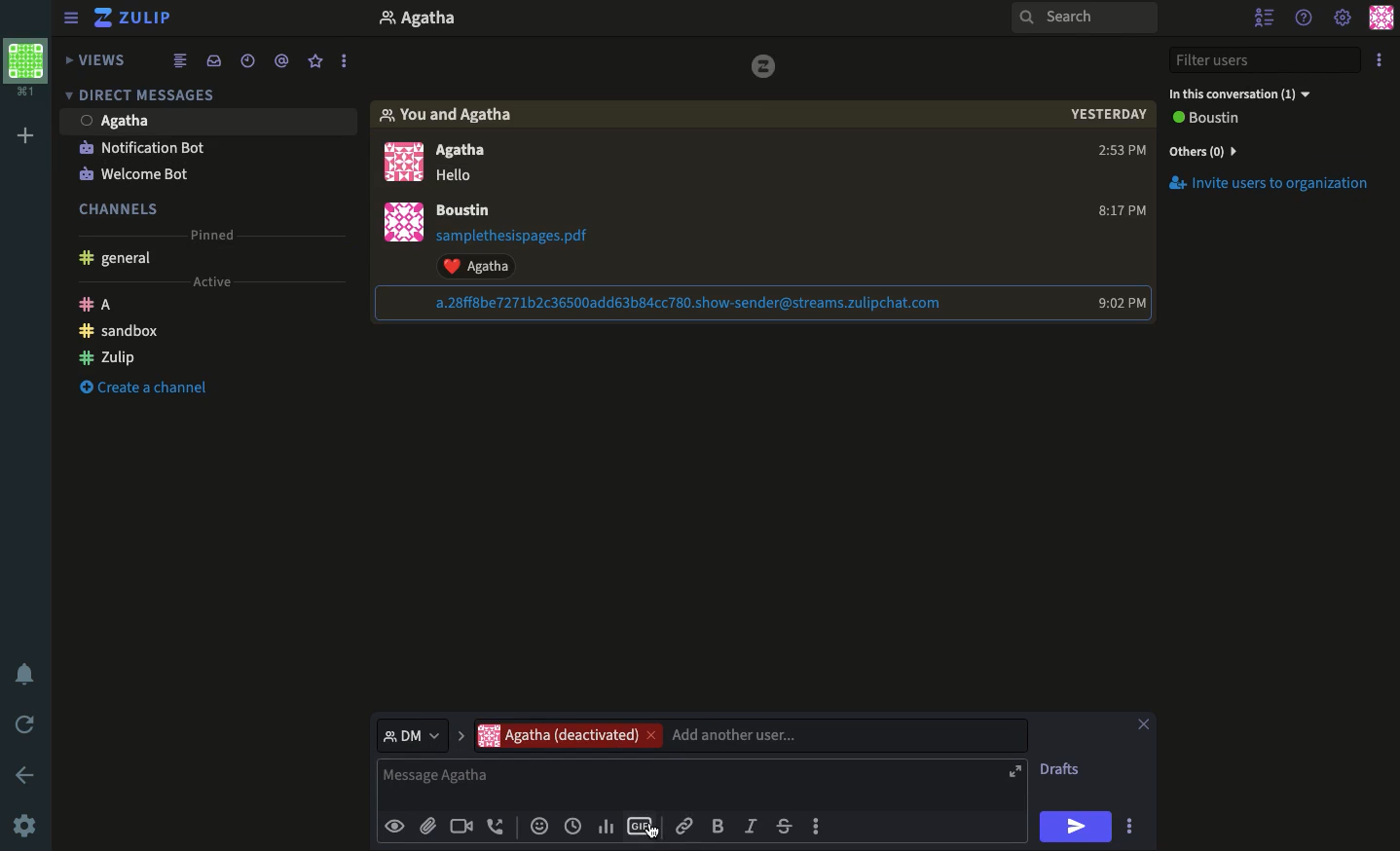 This screenshot has width=1400, height=851. Describe the element at coordinates (221, 230) in the screenshot. I see `Pinned` at that location.